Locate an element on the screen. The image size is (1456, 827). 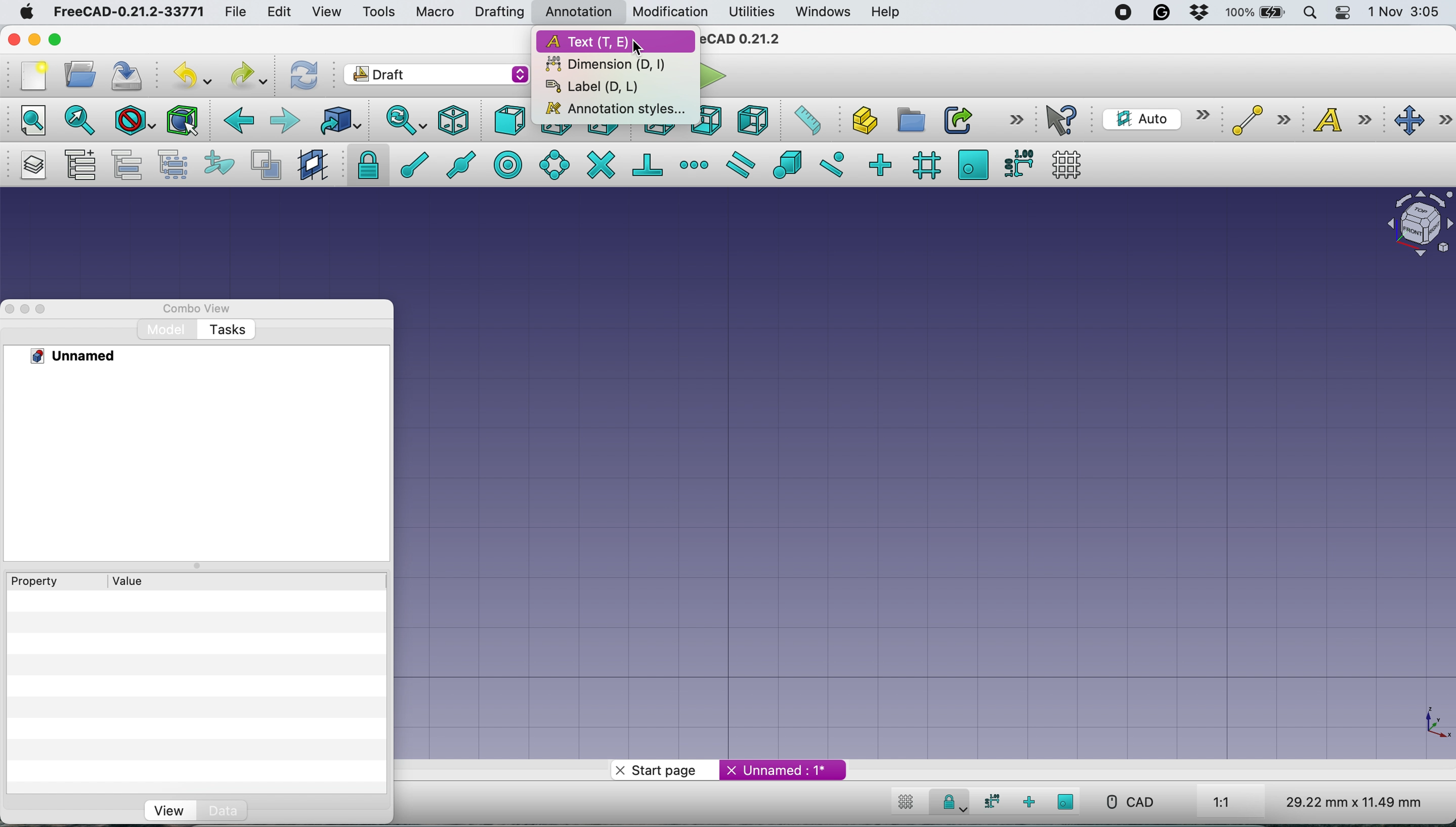
view is located at coordinates (326, 11).